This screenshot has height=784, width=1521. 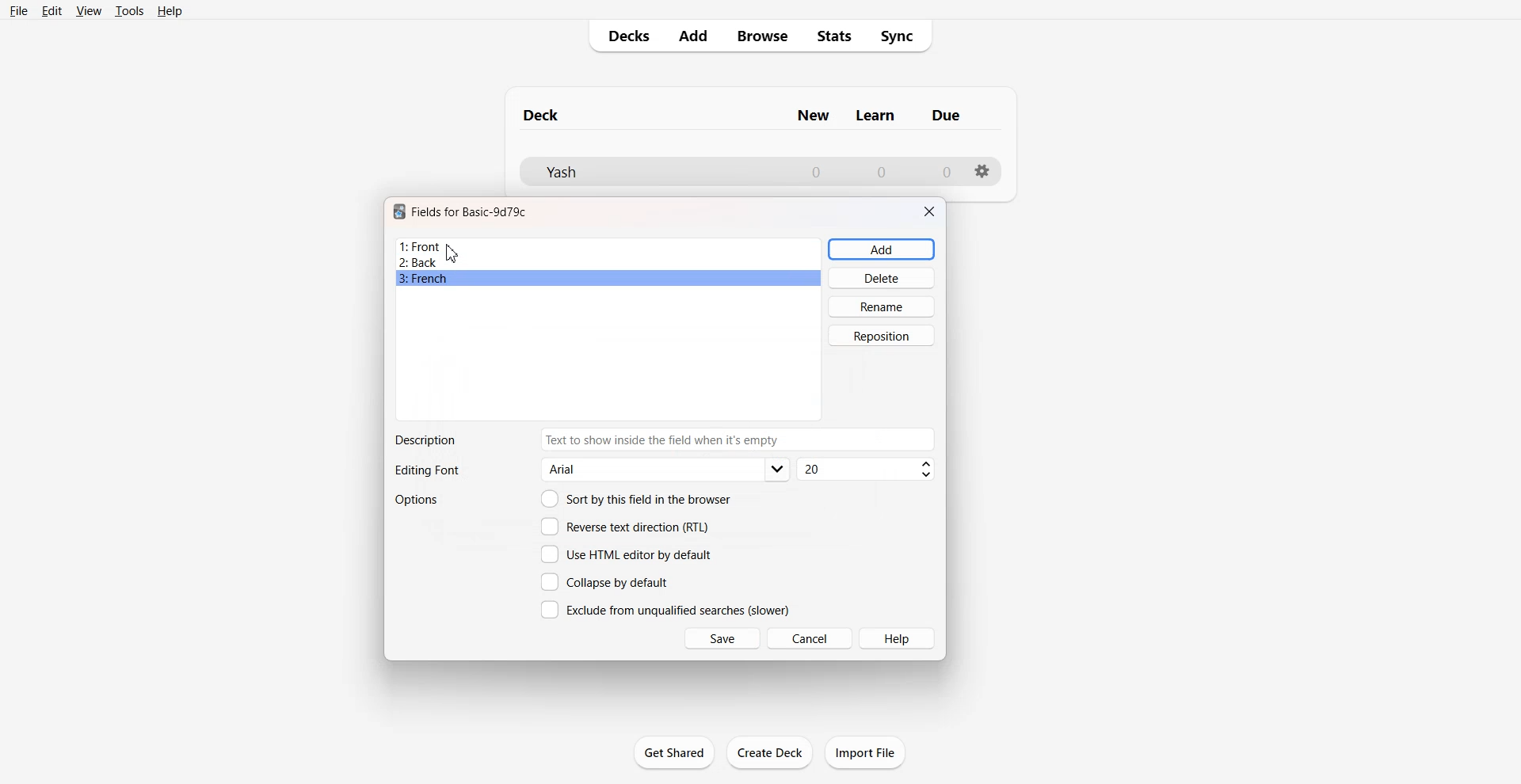 I want to click on Add, so click(x=692, y=36).